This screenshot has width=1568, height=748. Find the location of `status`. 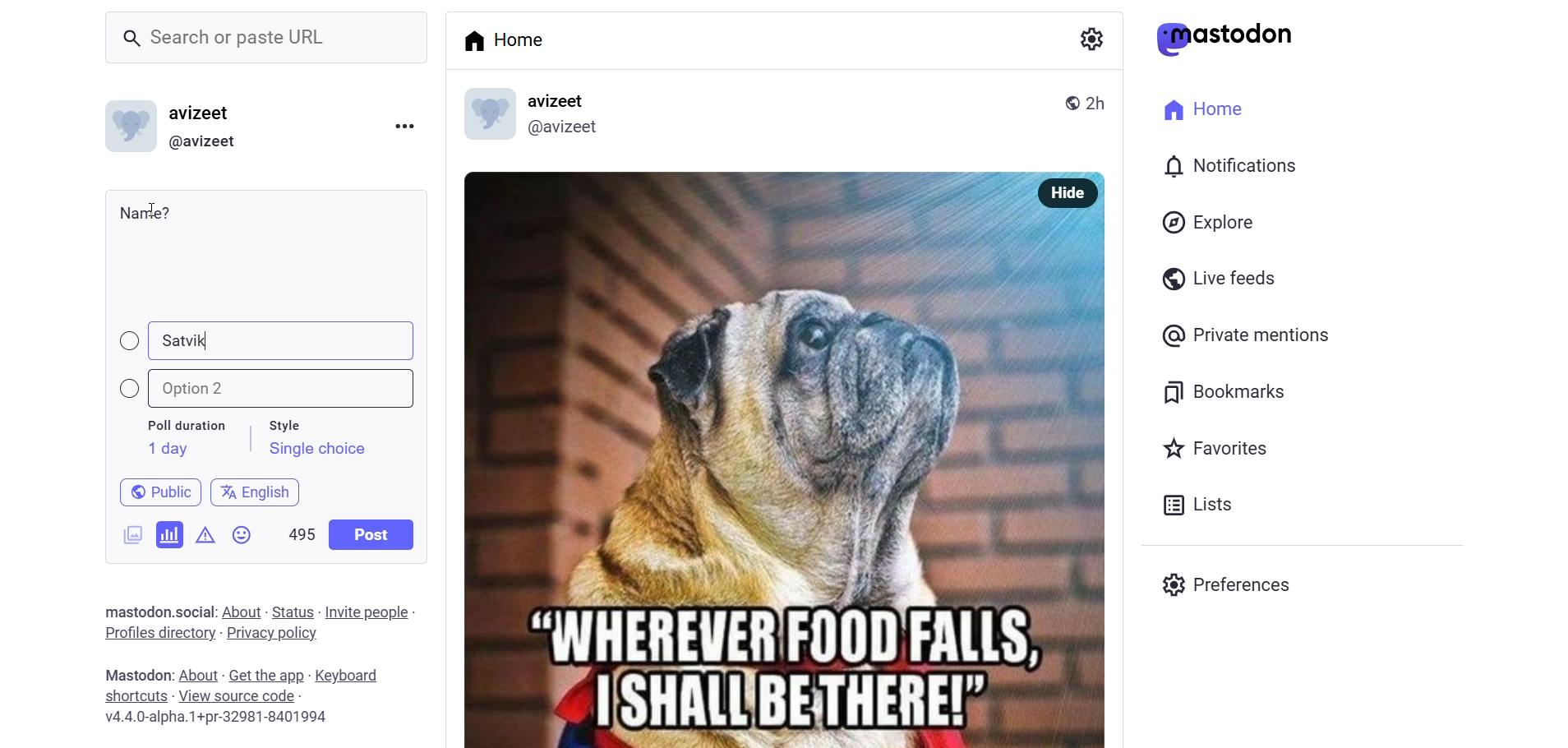

status is located at coordinates (293, 612).